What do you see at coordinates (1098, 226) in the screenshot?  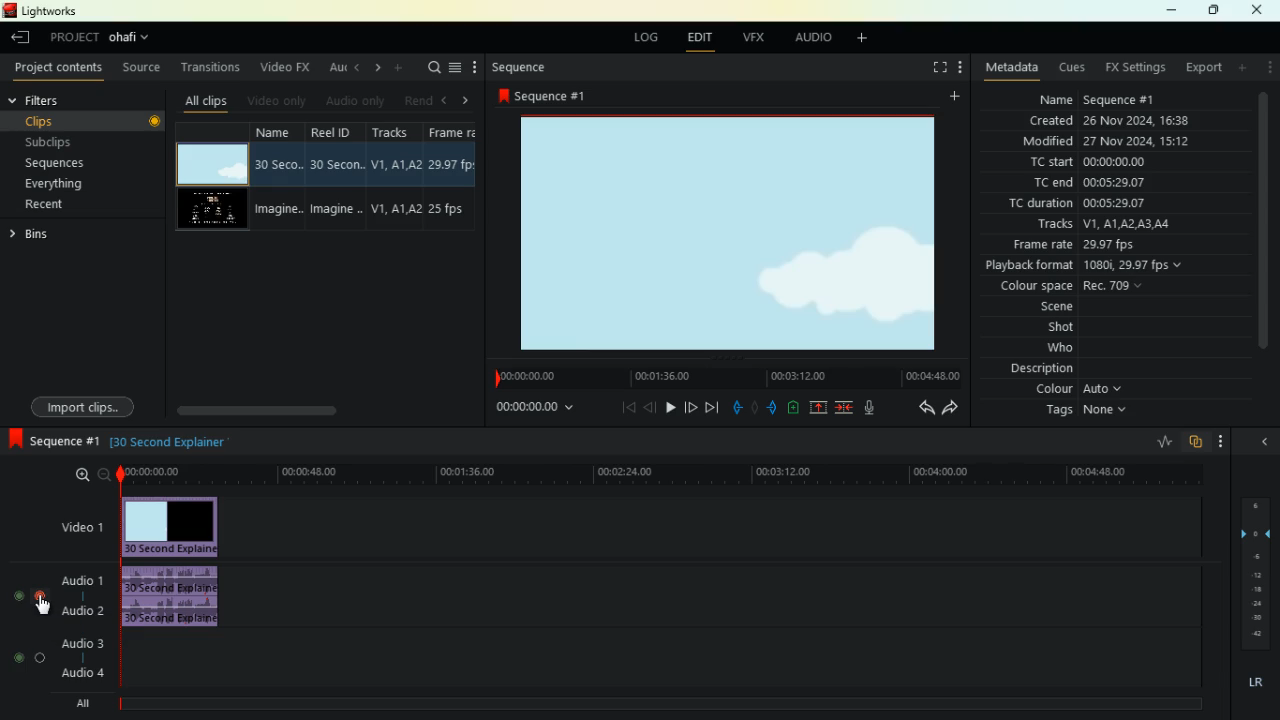 I see `tracks` at bounding box center [1098, 226].